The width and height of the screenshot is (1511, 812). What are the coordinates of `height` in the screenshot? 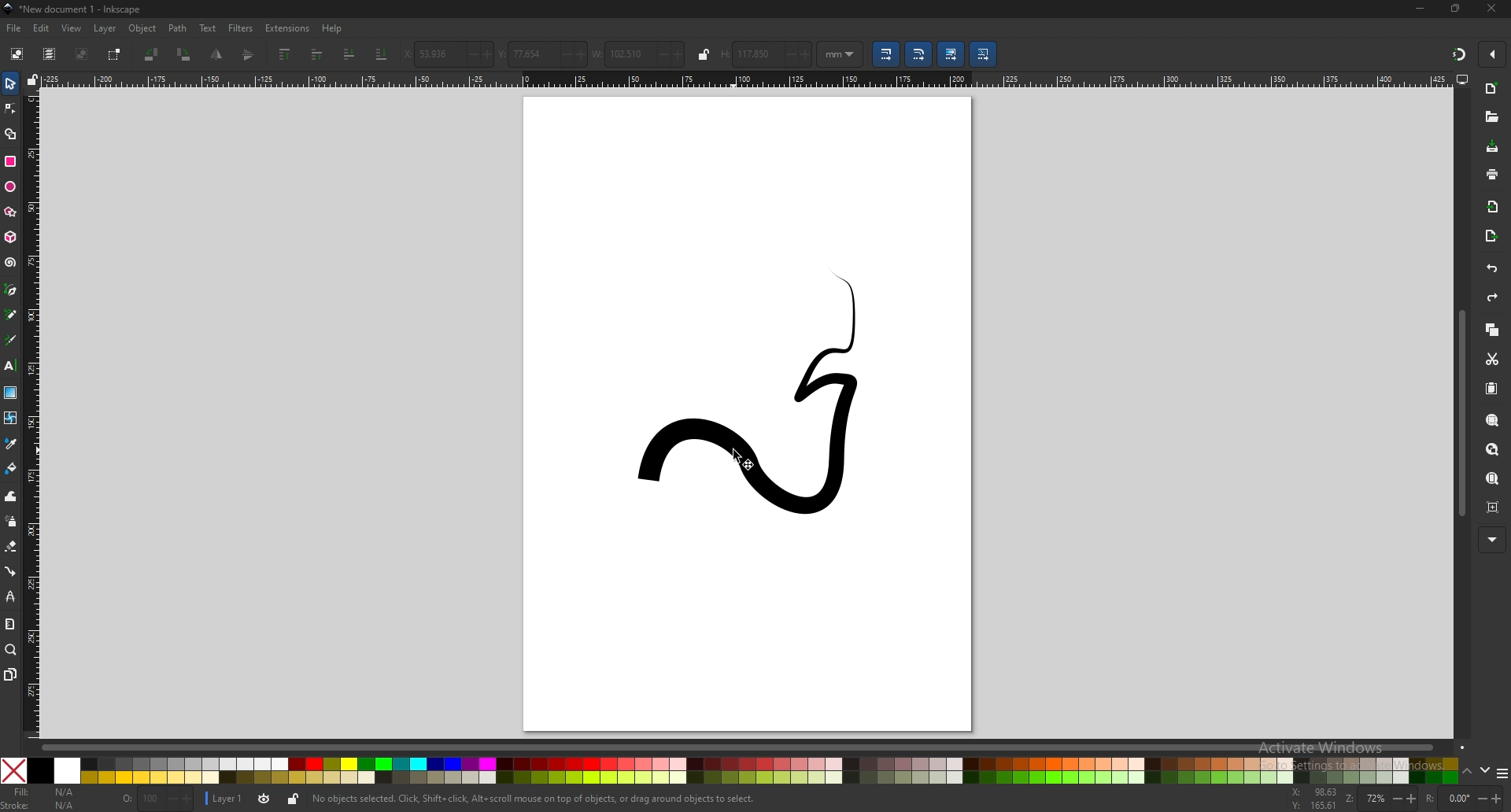 It's located at (767, 53).